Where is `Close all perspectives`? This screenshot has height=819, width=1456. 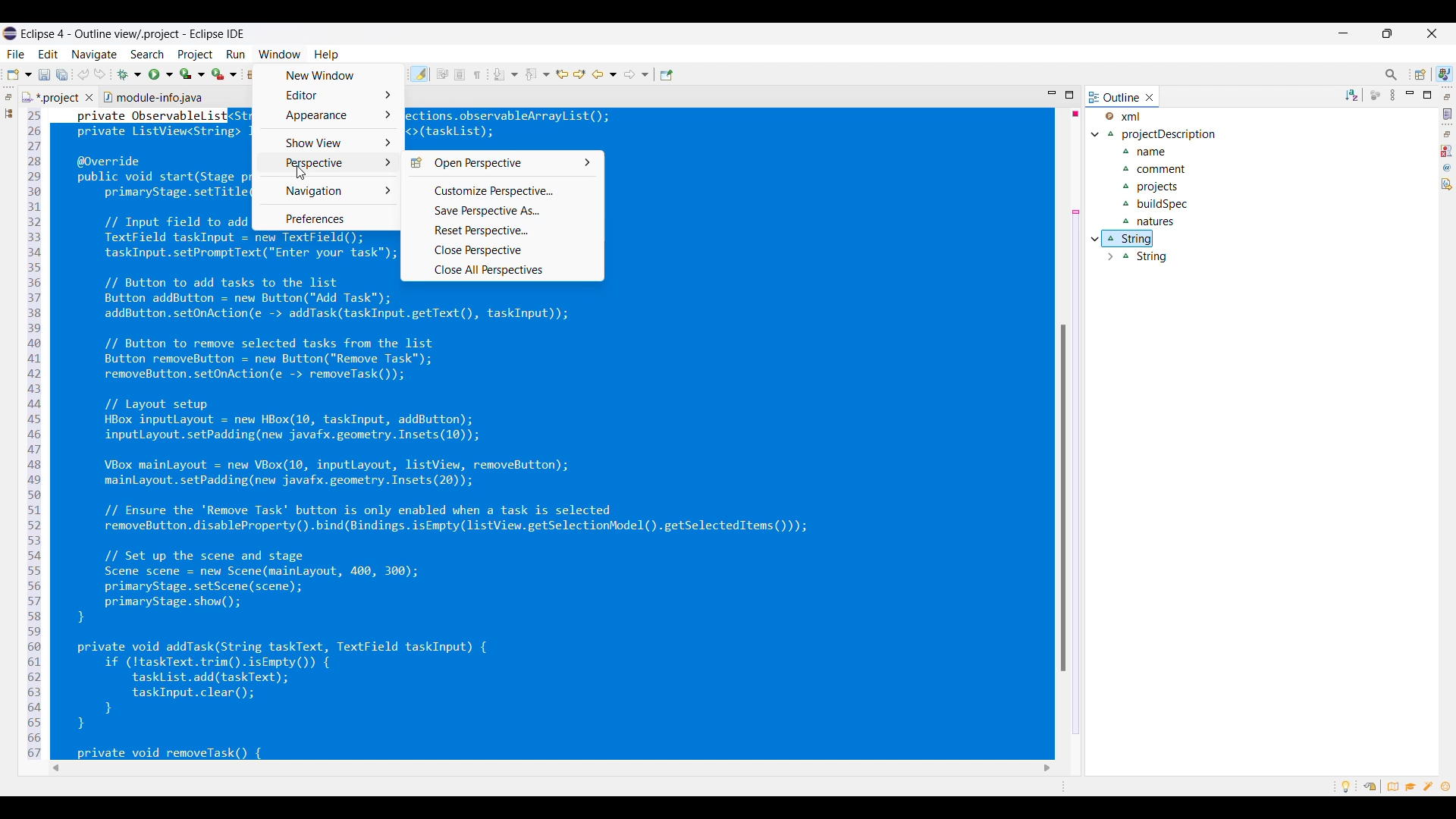
Close all perspectives is located at coordinates (501, 270).